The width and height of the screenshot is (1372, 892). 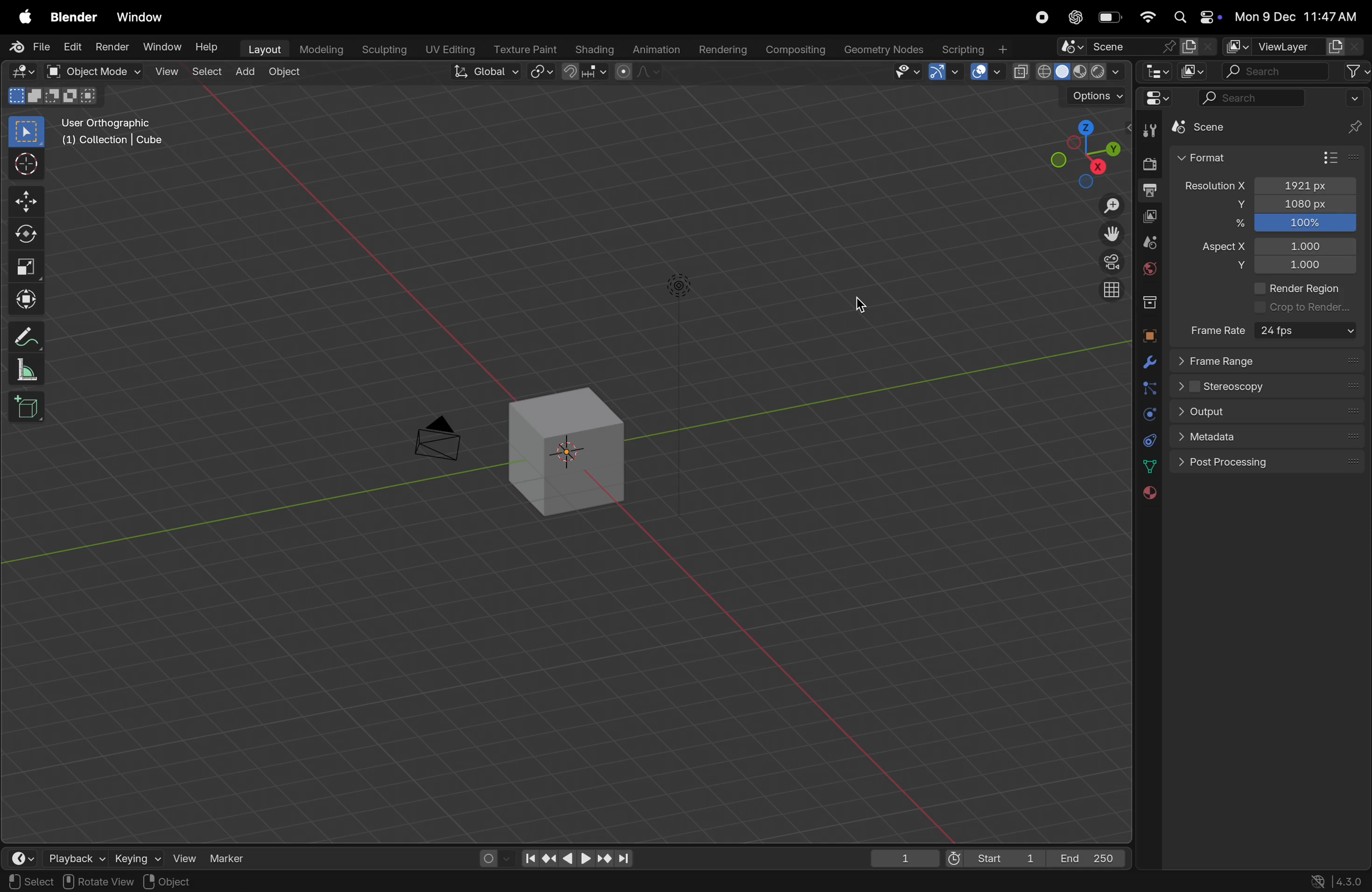 What do you see at coordinates (1146, 493) in the screenshot?
I see `material` at bounding box center [1146, 493].